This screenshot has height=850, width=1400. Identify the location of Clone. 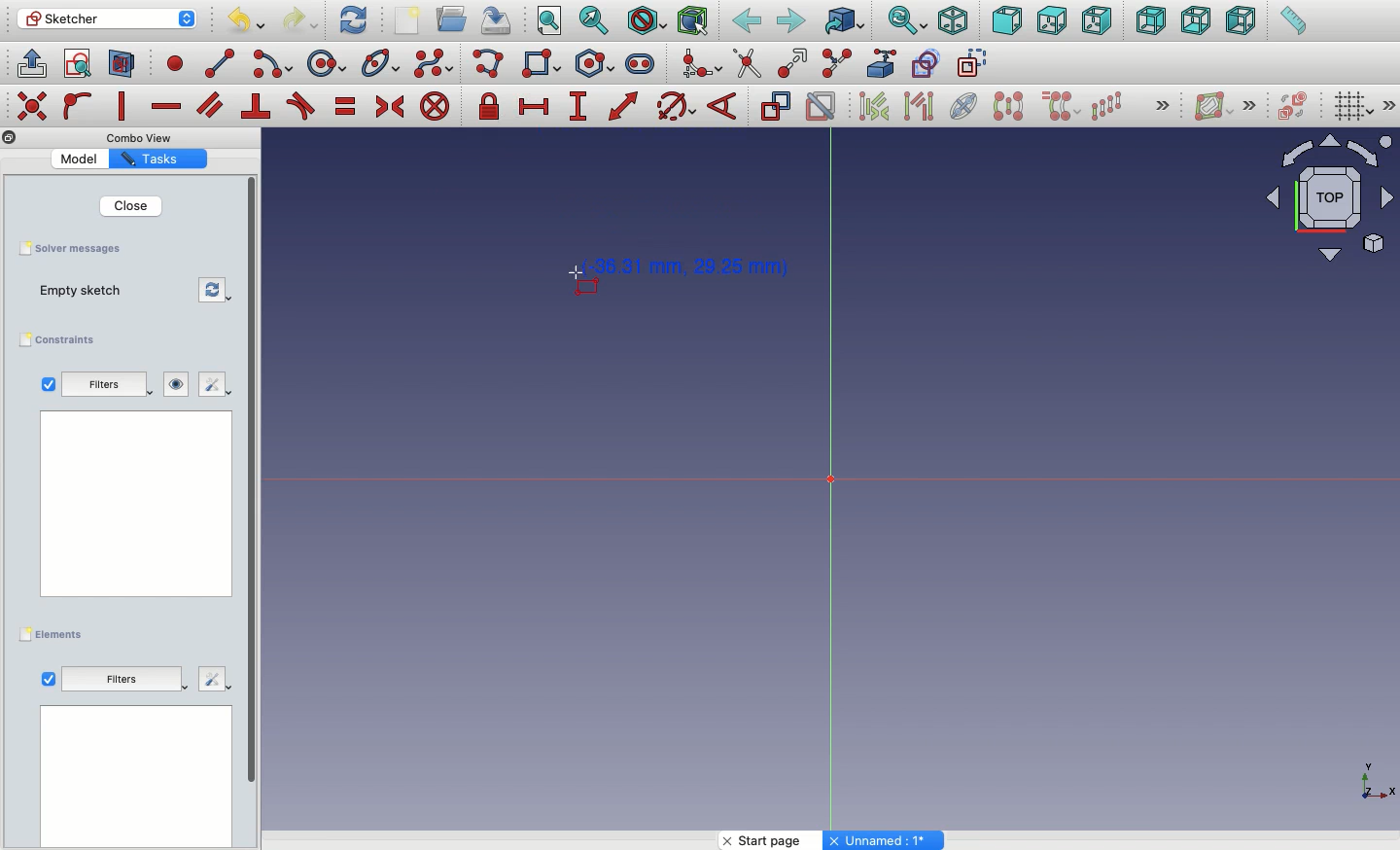
(1059, 107).